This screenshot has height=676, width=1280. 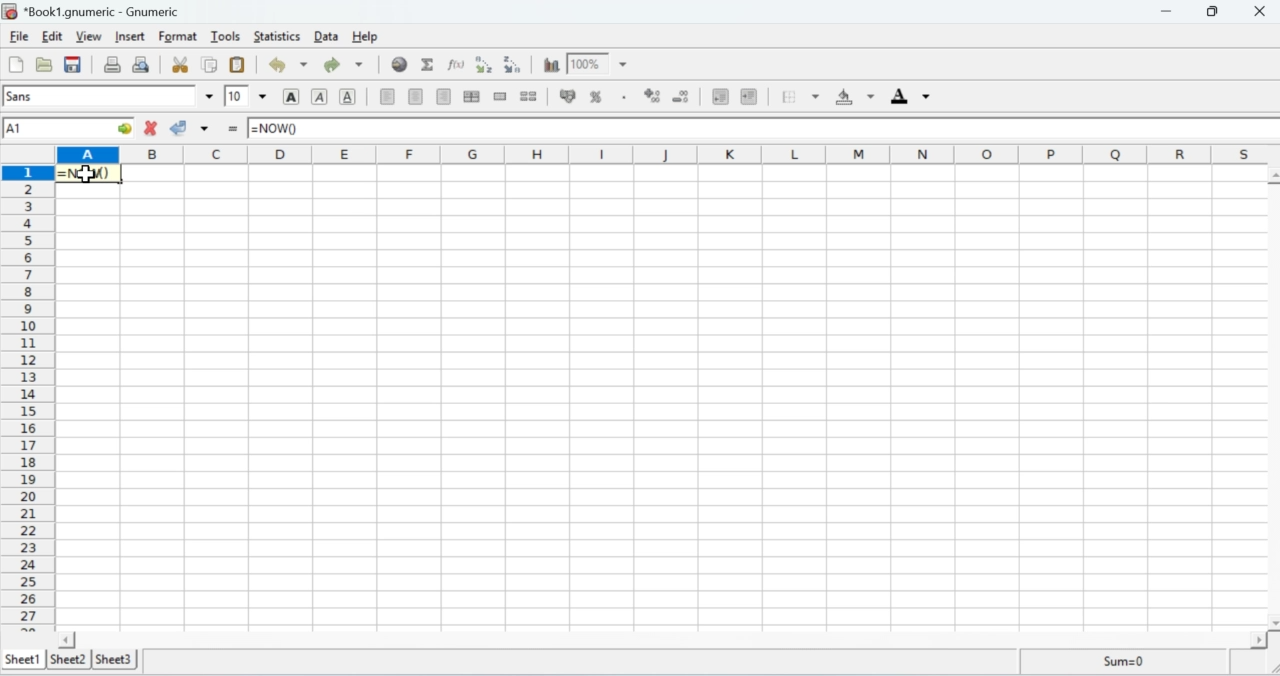 What do you see at coordinates (89, 174) in the screenshot?
I see `"=NOW()"` at bounding box center [89, 174].